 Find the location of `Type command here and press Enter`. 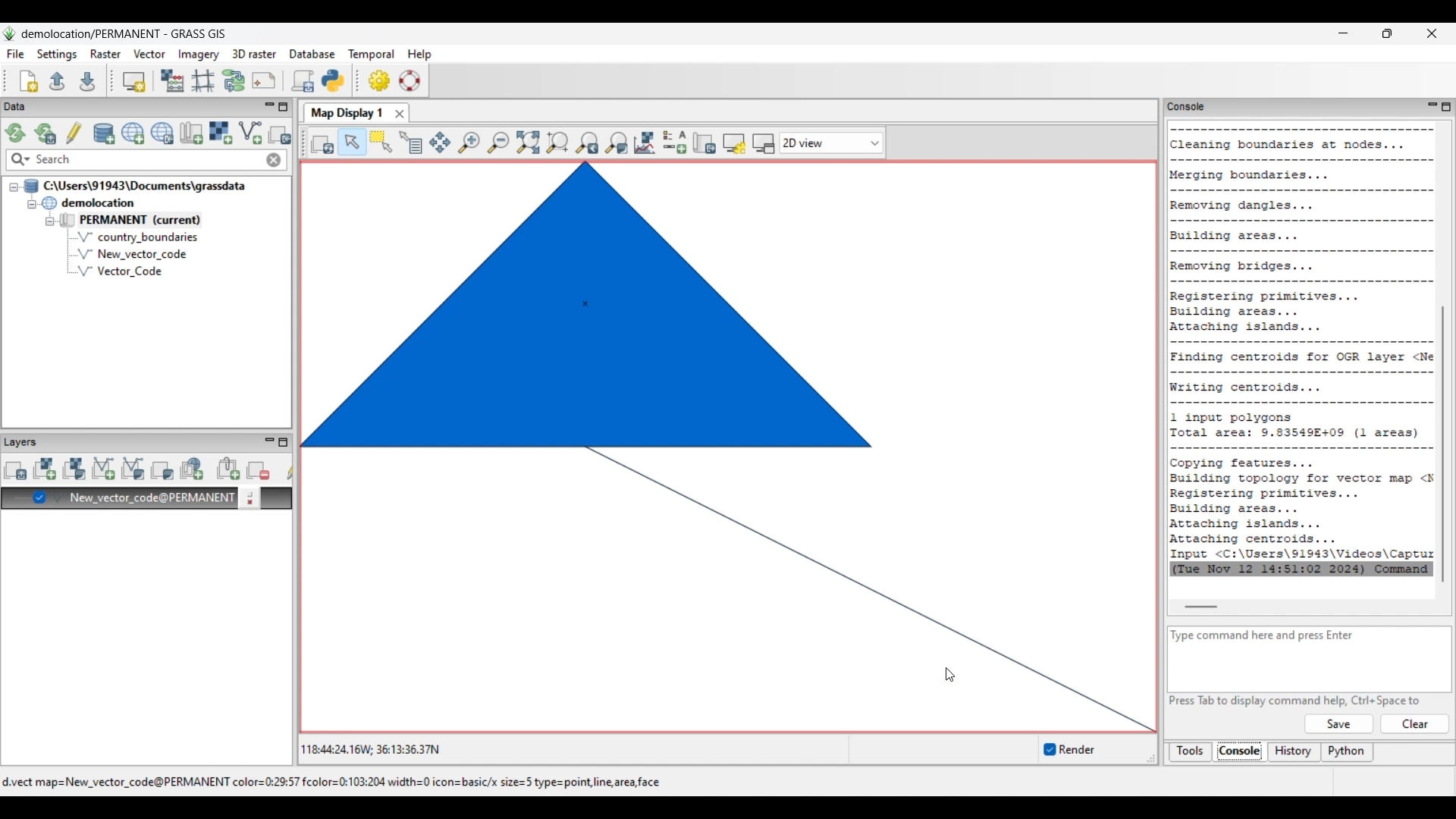

Type command here and press Enter is located at coordinates (1272, 635).